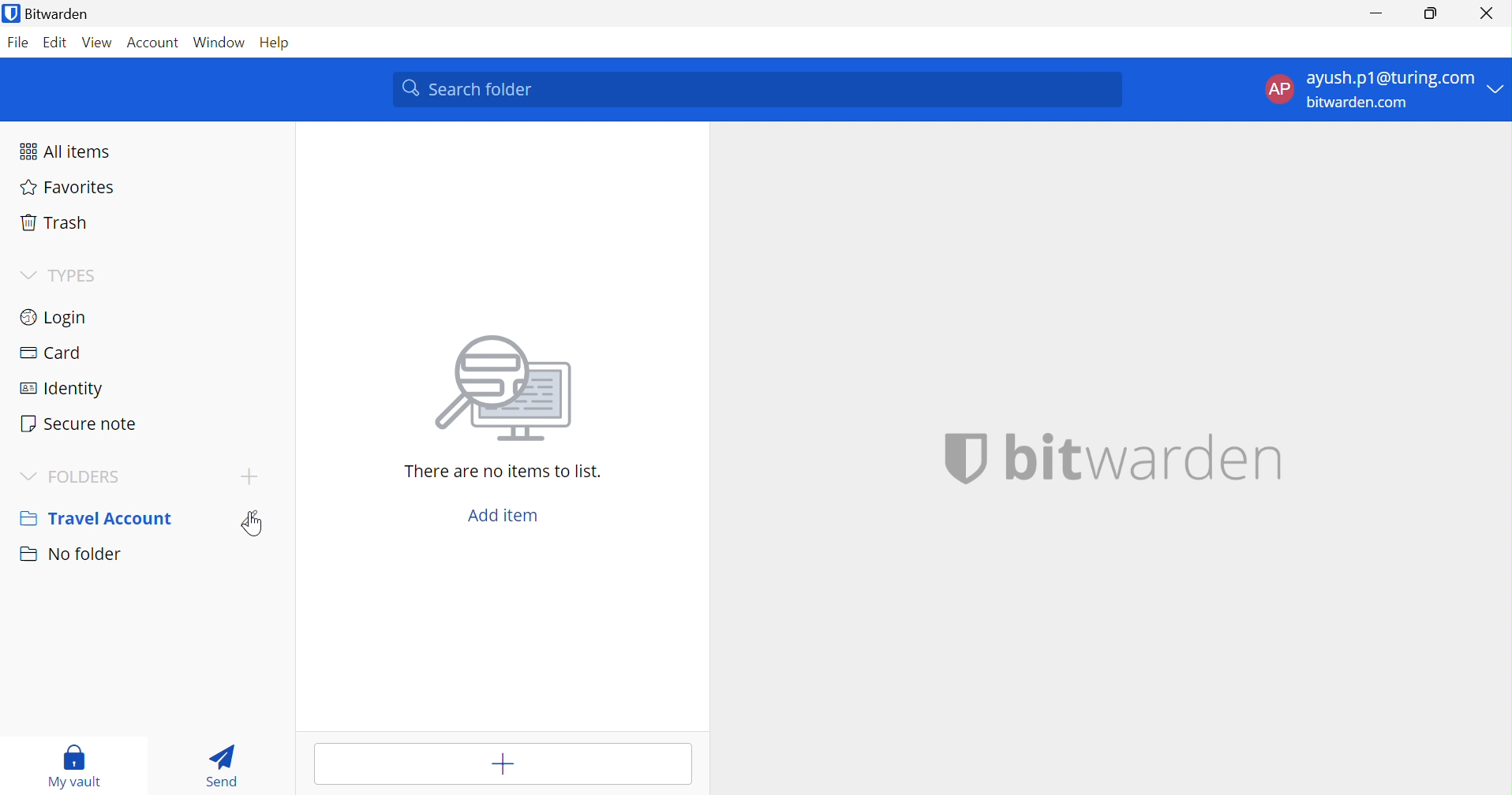 The image size is (1512, 795). Describe the element at coordinates (51, 14) in the screenshot. I see `Bitwarden` at that location.